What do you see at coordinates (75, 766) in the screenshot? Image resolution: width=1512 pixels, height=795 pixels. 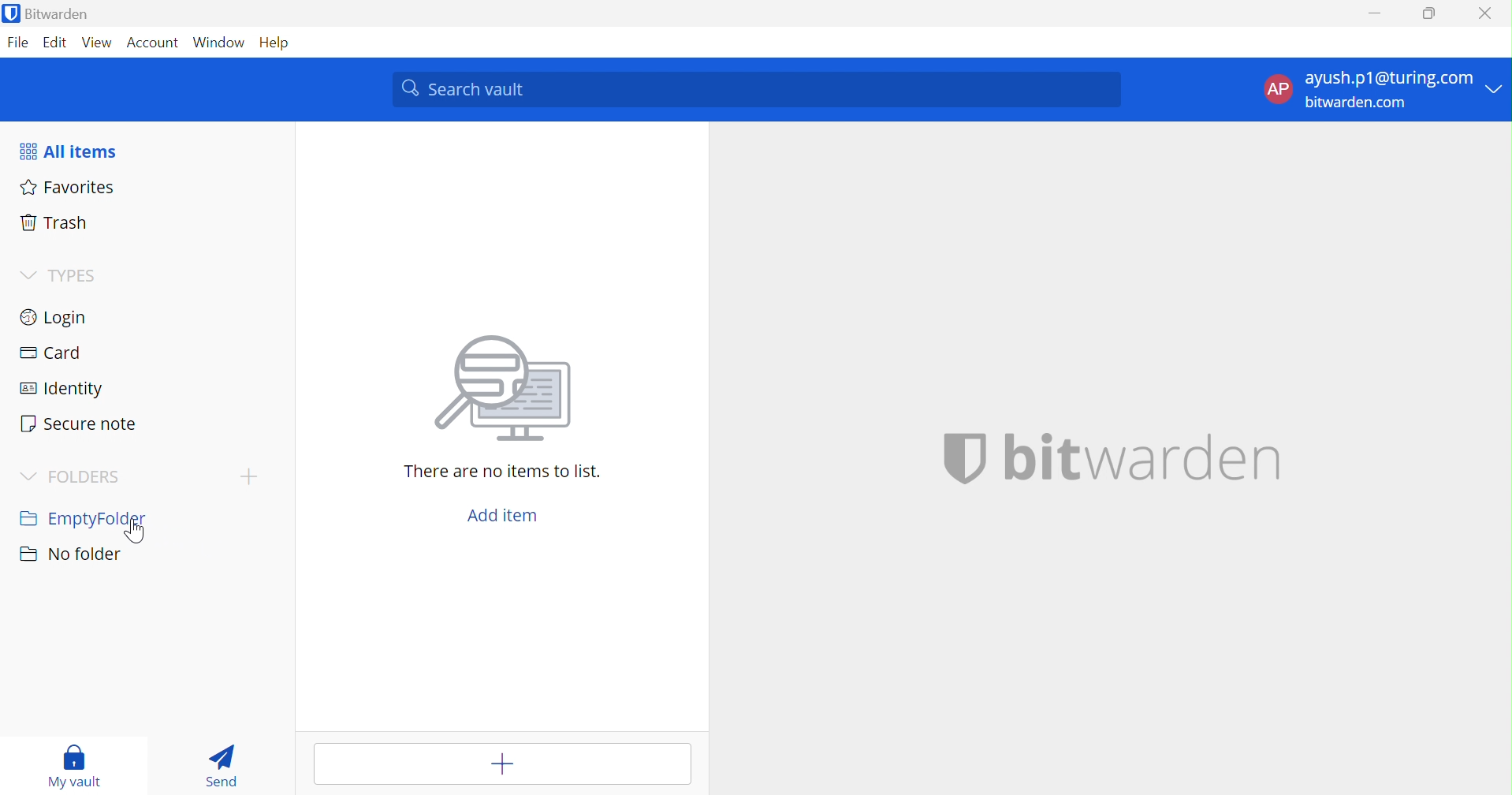 I see `My Vault` at bounding box center [75, 766].